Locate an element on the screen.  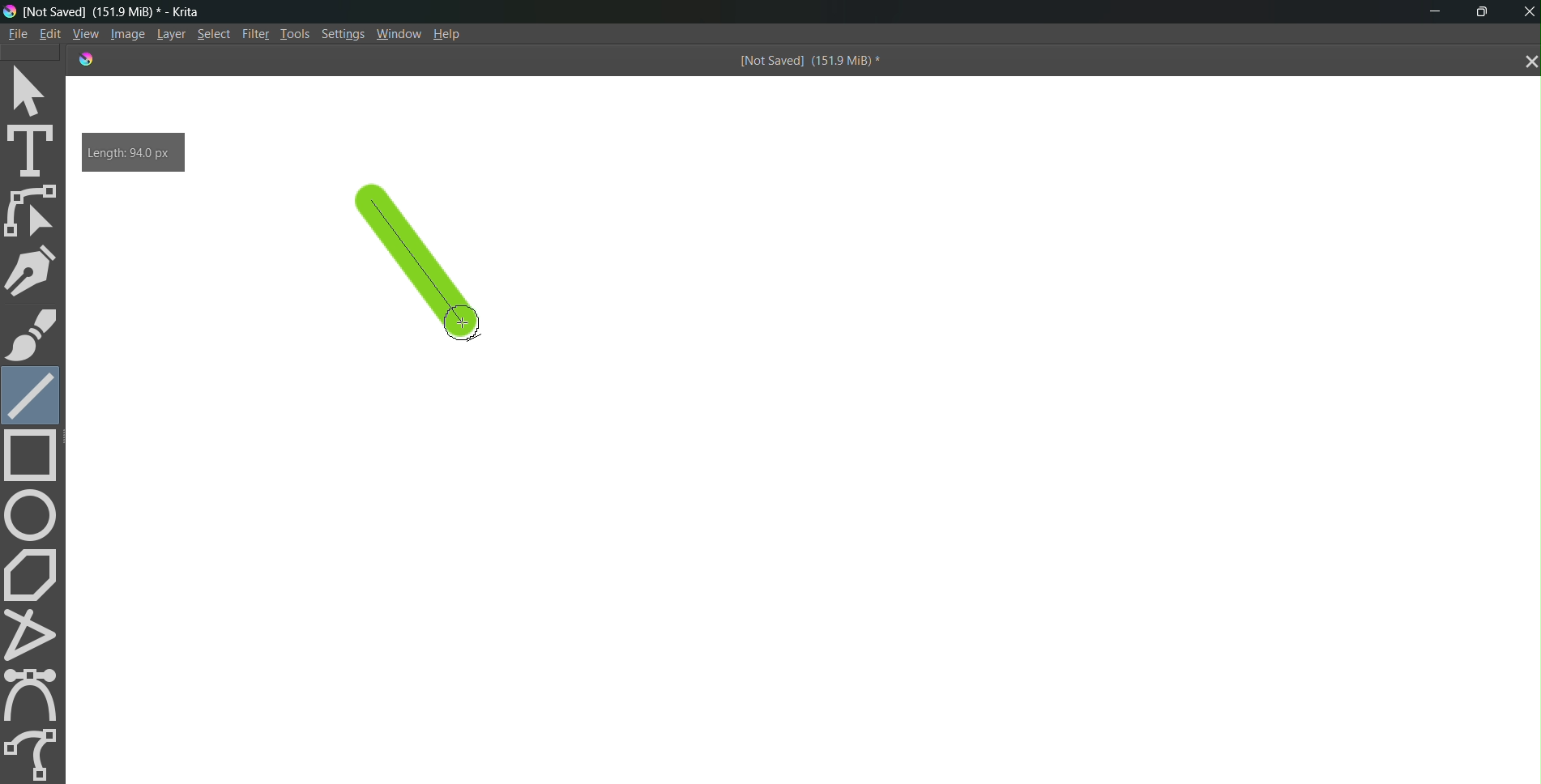
length is located at coordinates (133, 151).